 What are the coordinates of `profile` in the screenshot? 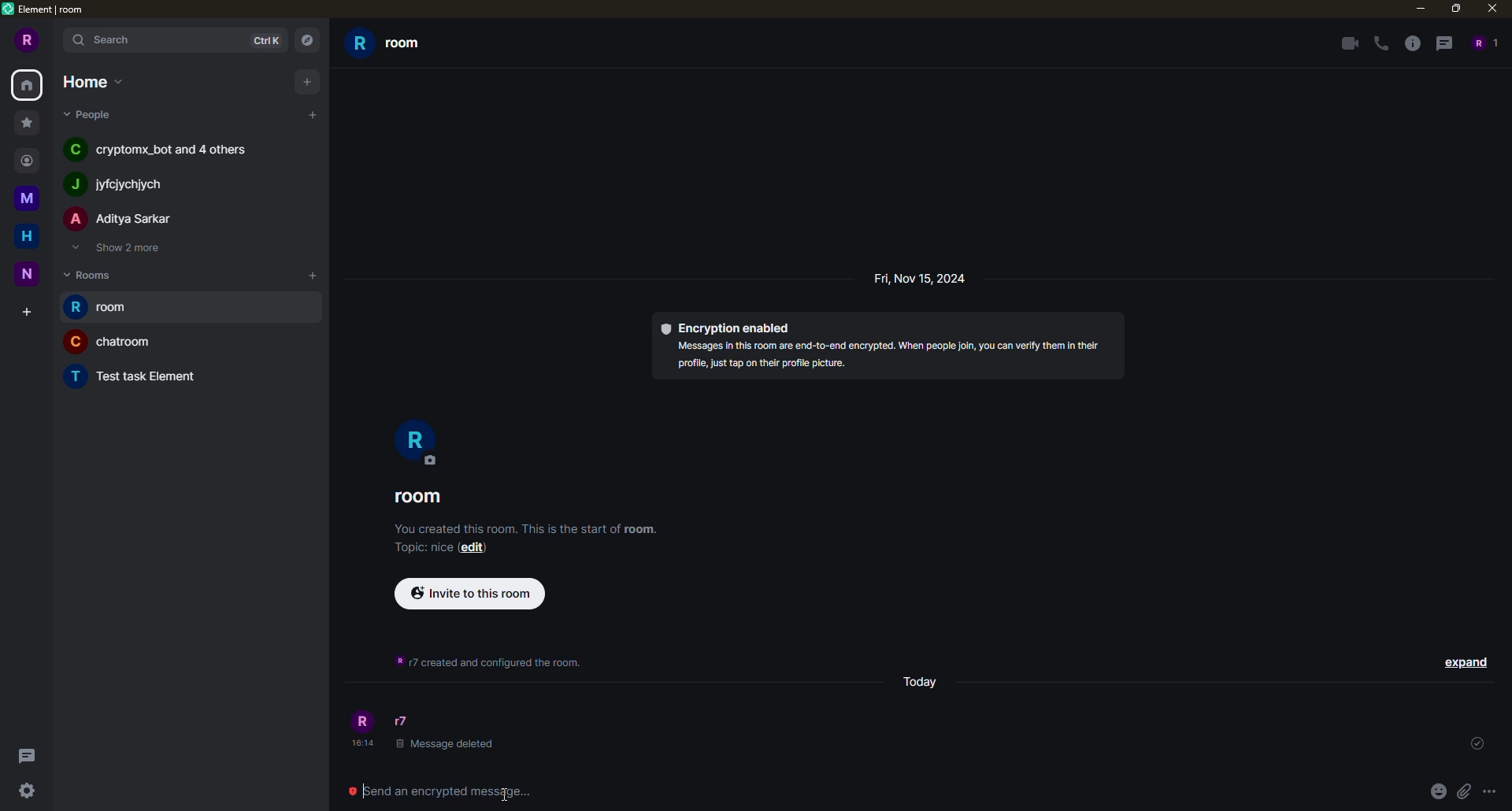 It's located at (26, 42).